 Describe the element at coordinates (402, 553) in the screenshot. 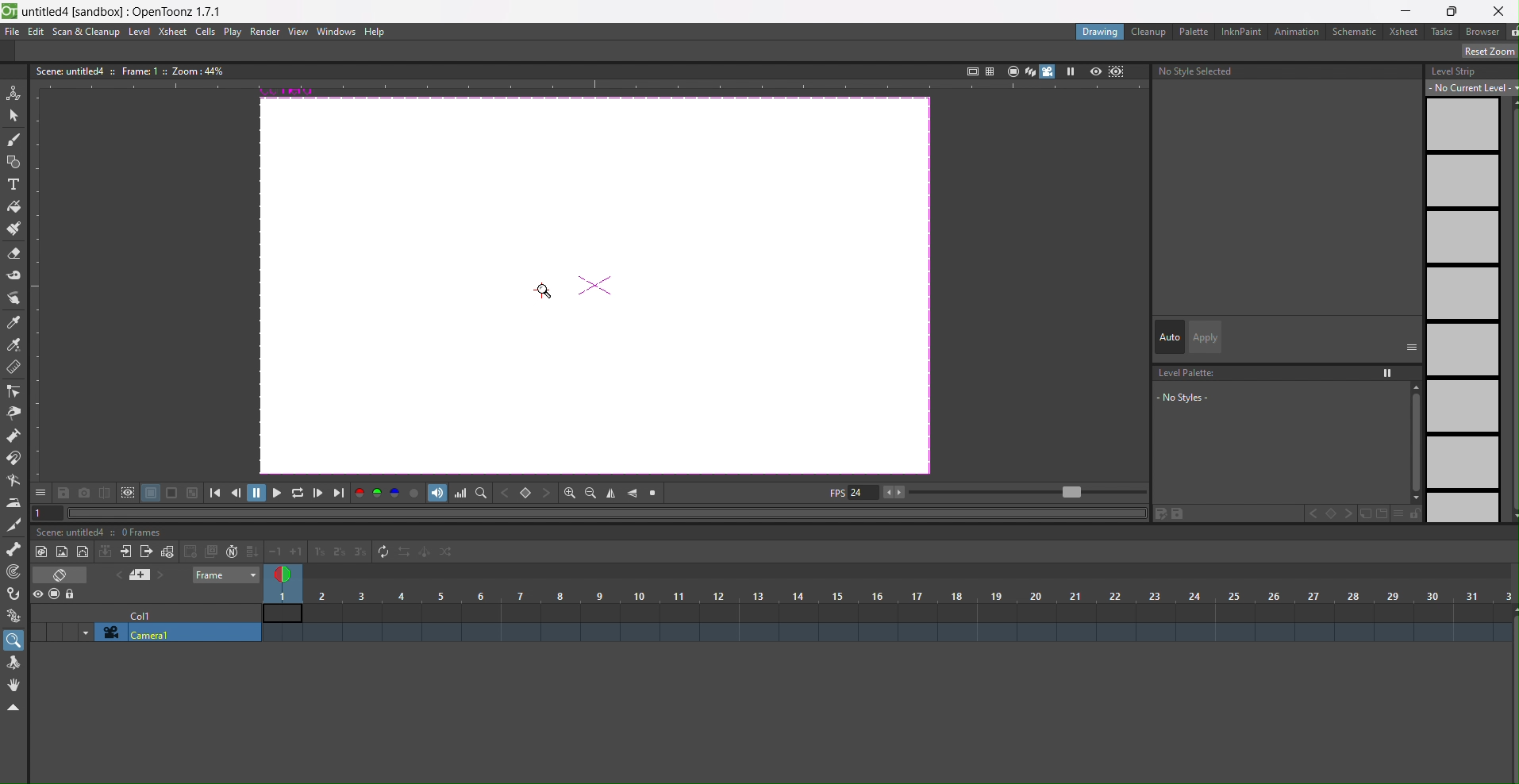

I see `` at that location.